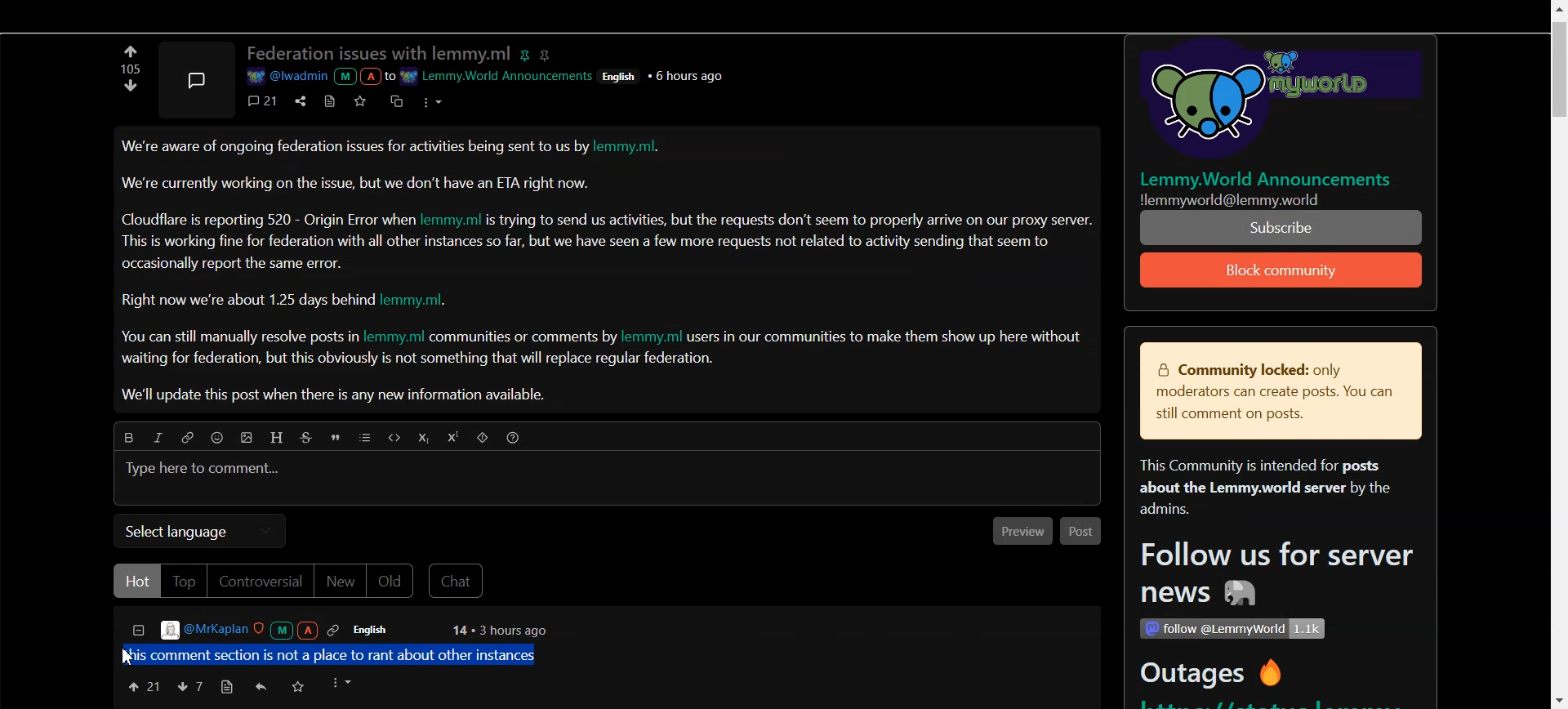  Describe the element at coordinates (884, 337) in the screenshot. I see `| users in our communities to make them show up here withou` at that location.